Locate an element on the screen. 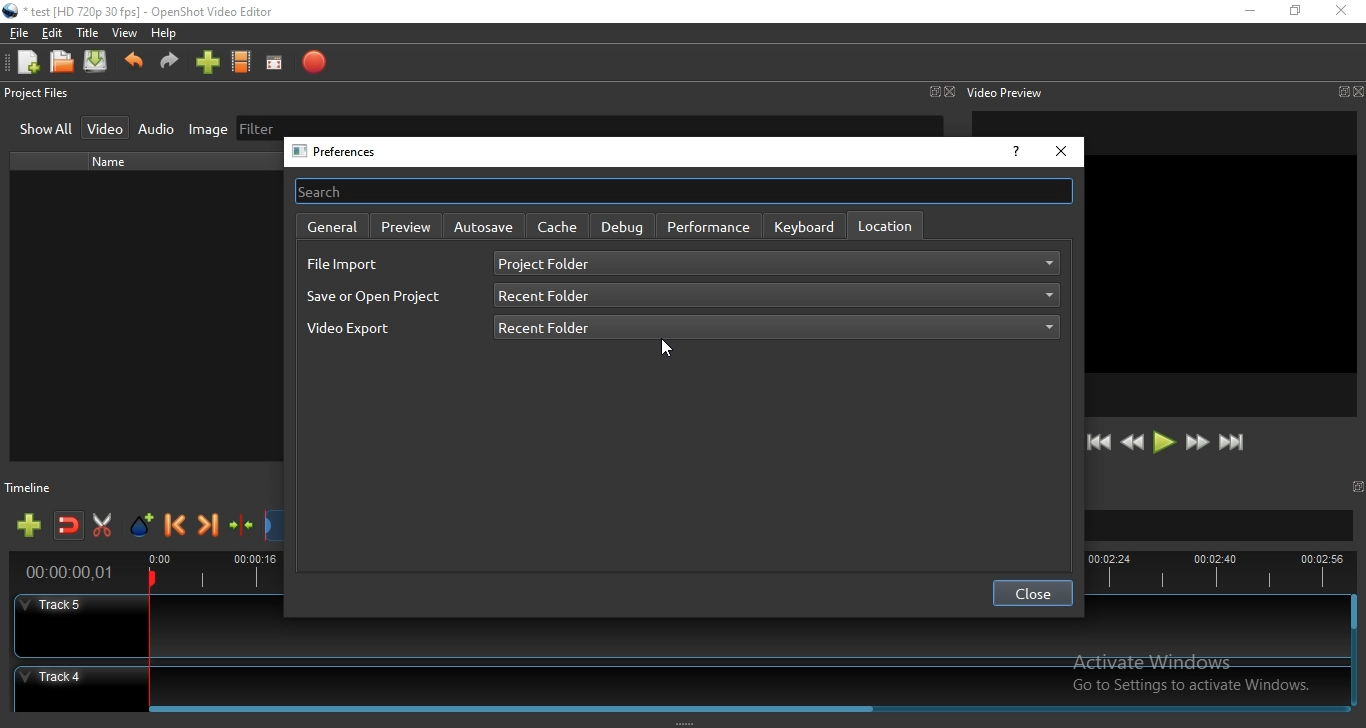 Image resolution: width=1366 pixels, height=728 pixels. Project files is located at coordinates (37, 95).